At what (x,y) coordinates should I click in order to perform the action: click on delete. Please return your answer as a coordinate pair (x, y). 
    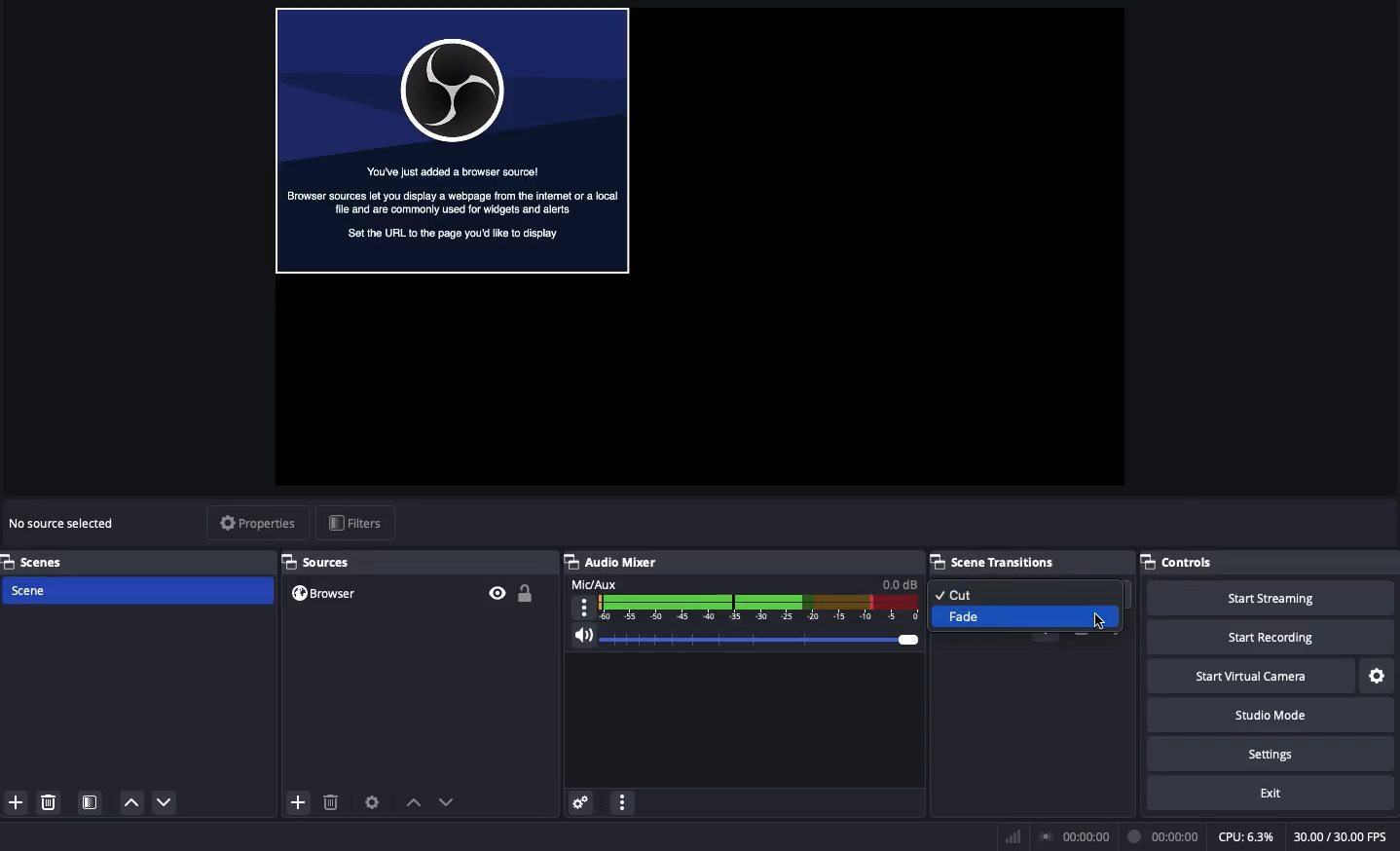
    Looking at the image, I should click on (338, 803).